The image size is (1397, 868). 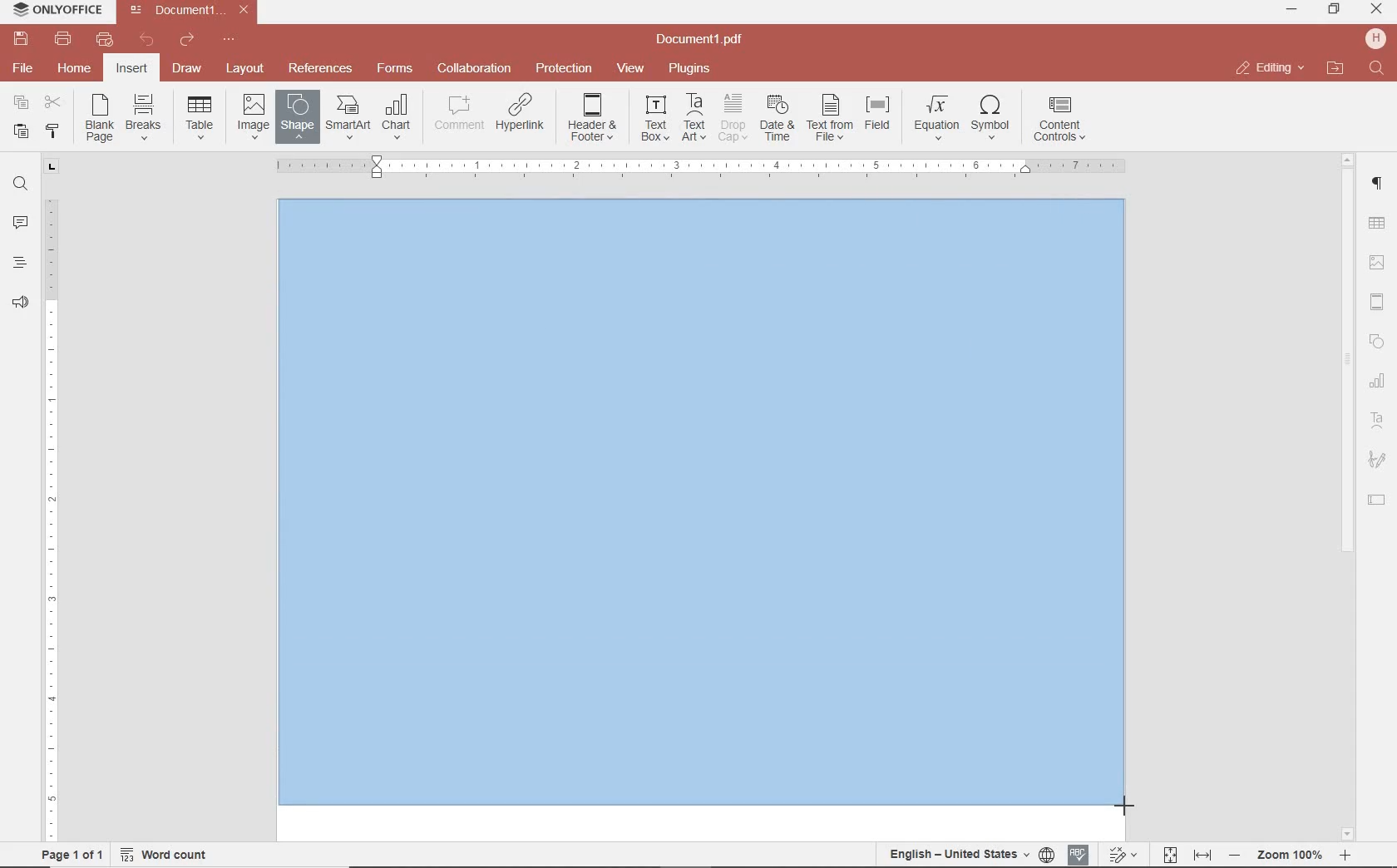 What do you see at coordinates (1121, 856) in the screenshot?
I see `track change` at bounding box center [1121, 856].